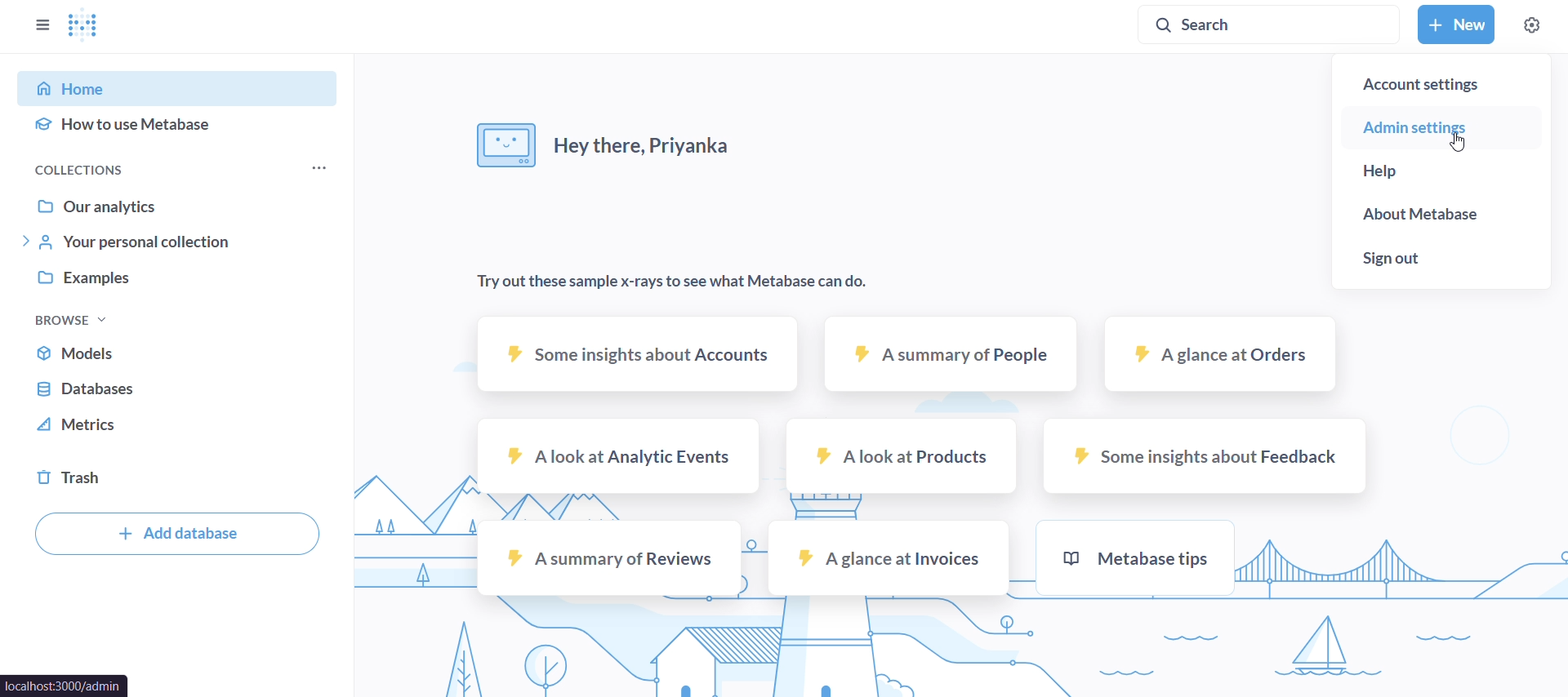 The width and height of the screenshot is (1568, 697). I want to click on cursor, so click(1461, 141).